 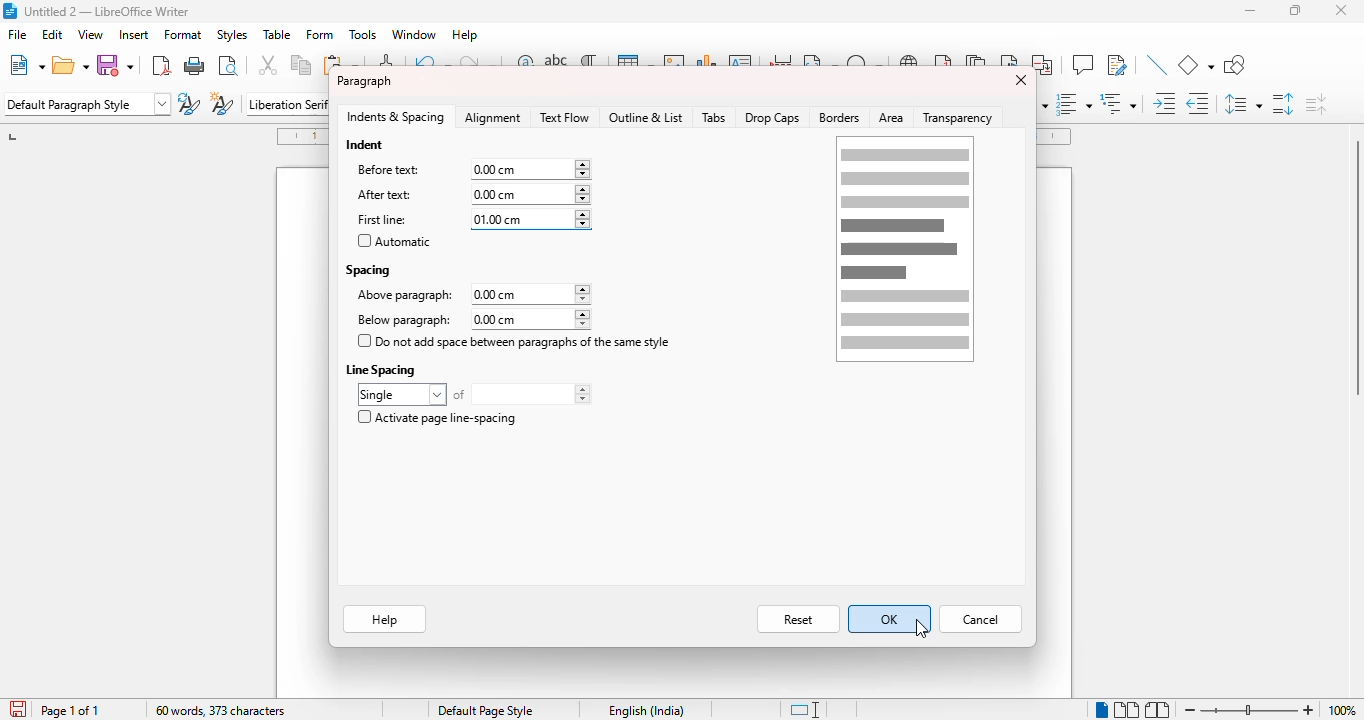 I want to click on automatic, so click(x=394, y=241).